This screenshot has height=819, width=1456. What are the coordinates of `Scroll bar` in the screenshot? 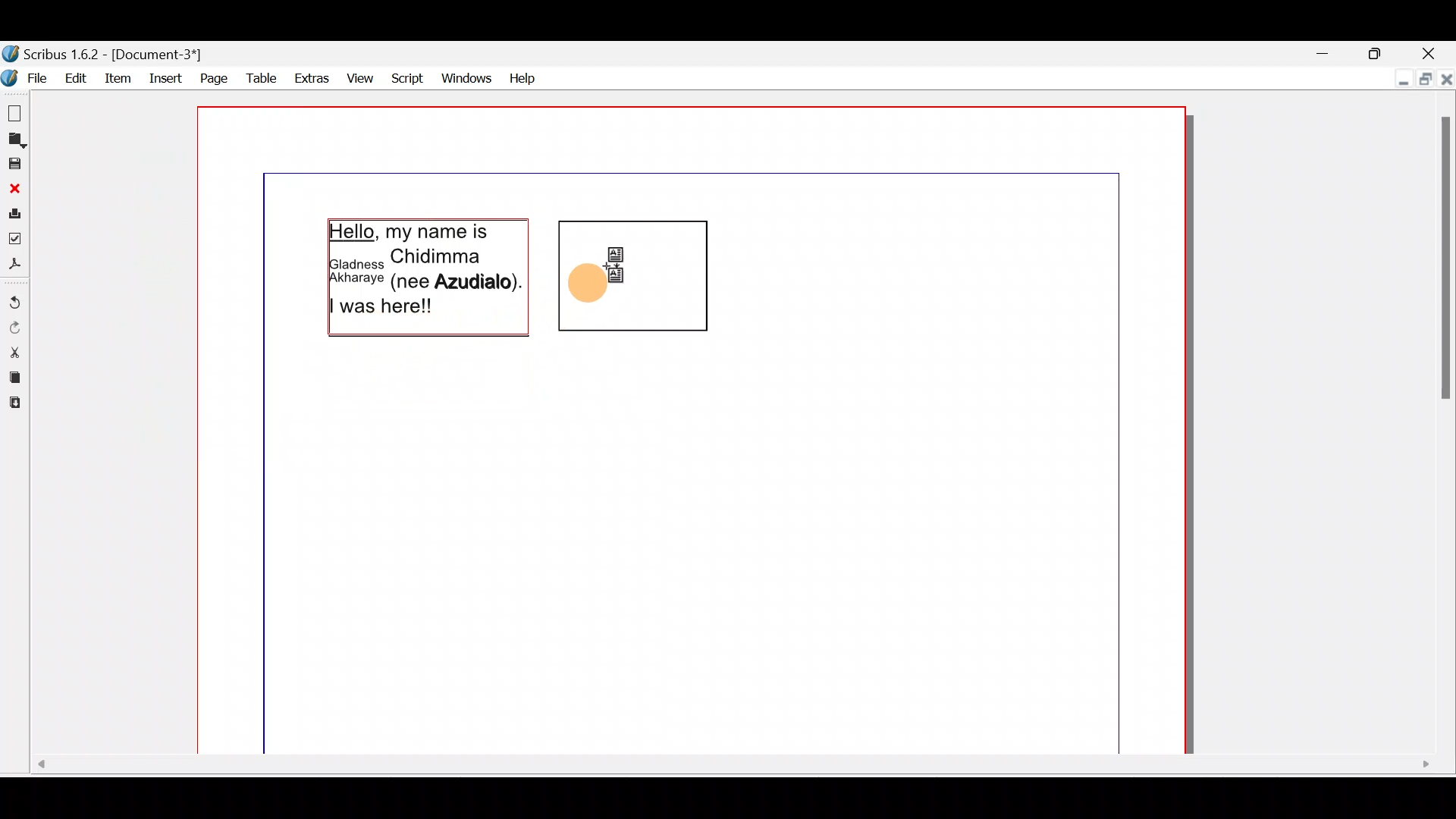 It's located at (730, 771).